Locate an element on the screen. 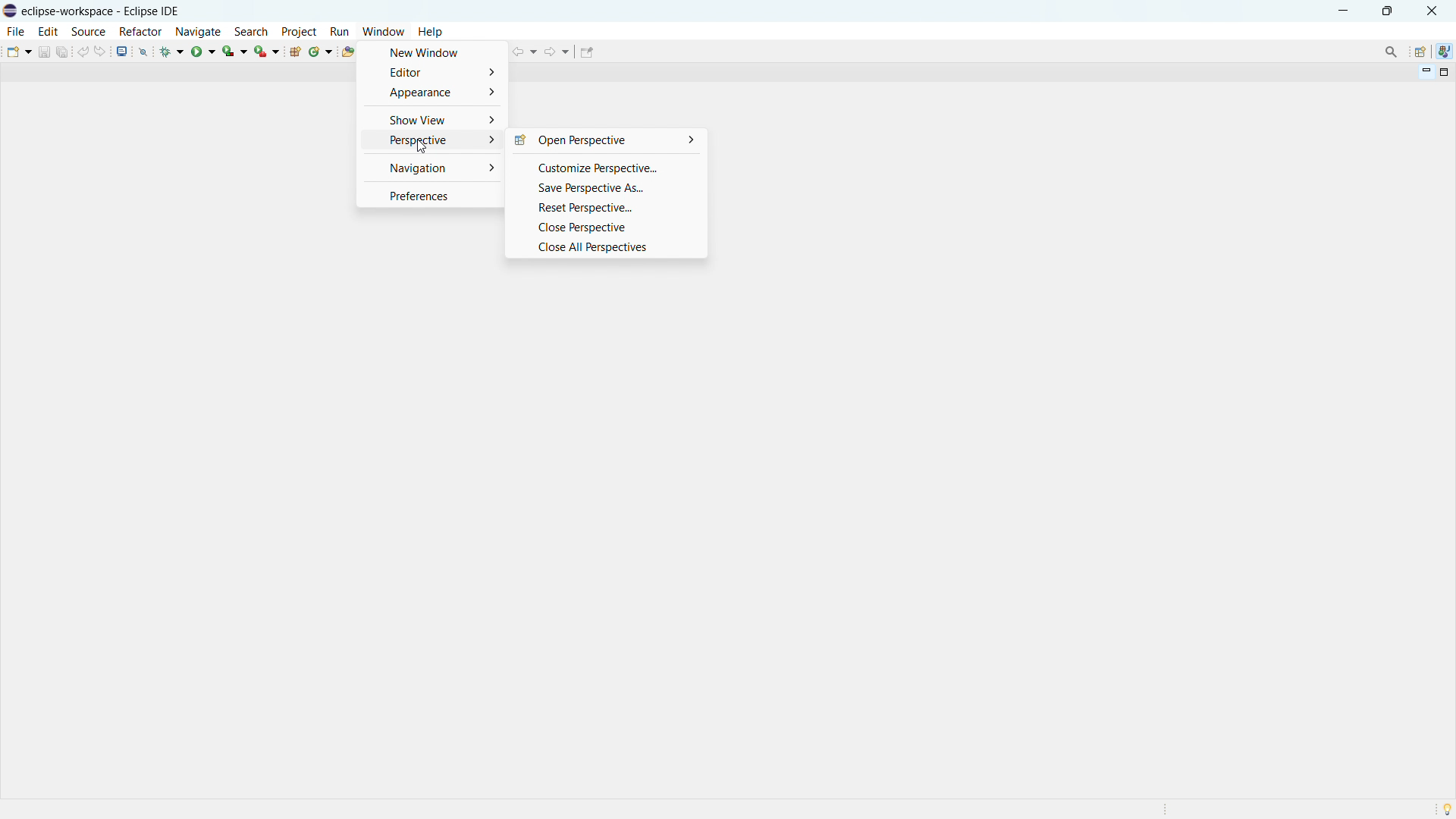 This screenshot has width=1456, height=819. coverage is located at coordinates (235, 50).